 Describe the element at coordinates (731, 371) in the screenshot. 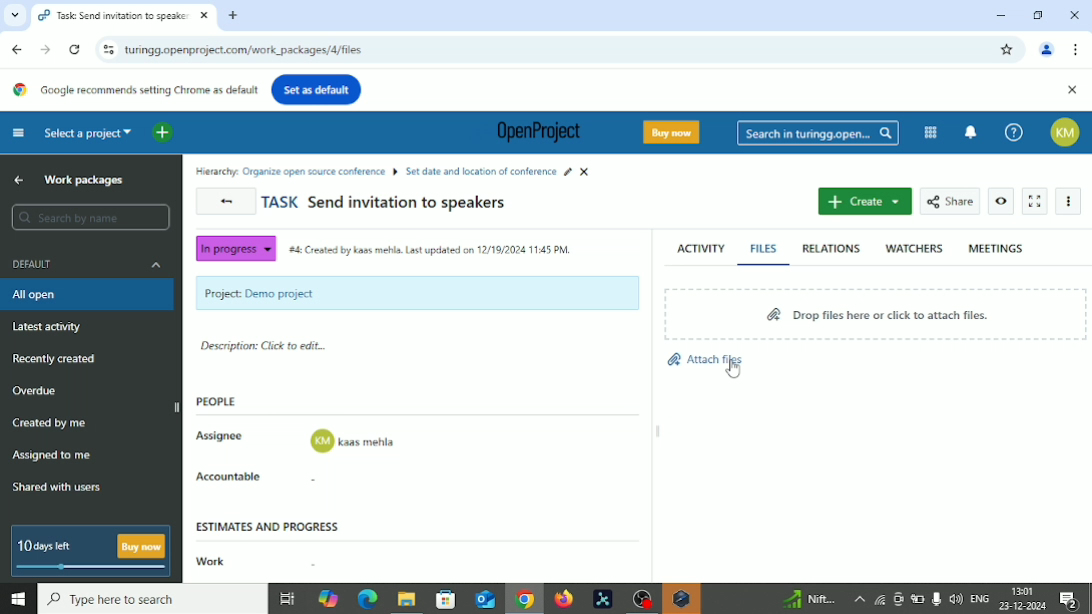

I see `cursor` at that location.